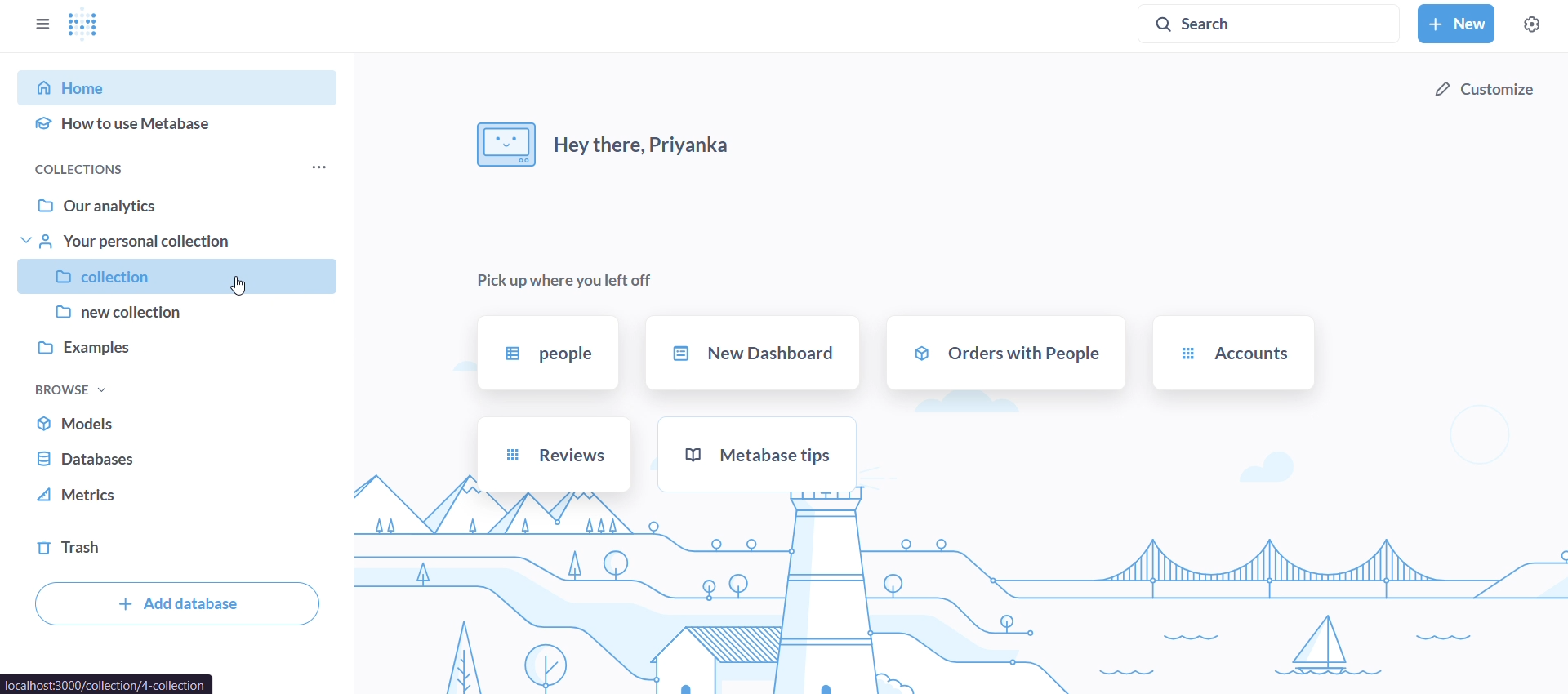  Describe the element at coordinates (759, 457) in the screenshot. I see `metabase tips` at that location.